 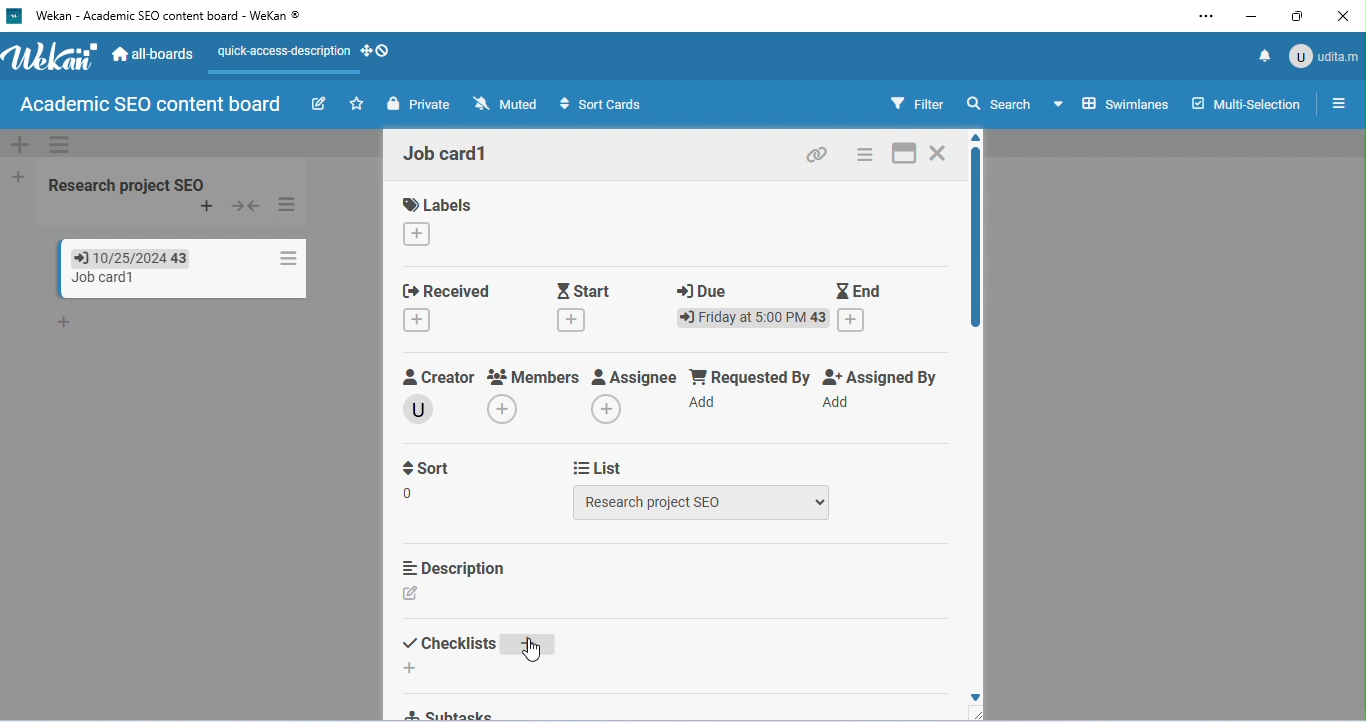 I want to click on add checklist, so click(x=527, y=644).